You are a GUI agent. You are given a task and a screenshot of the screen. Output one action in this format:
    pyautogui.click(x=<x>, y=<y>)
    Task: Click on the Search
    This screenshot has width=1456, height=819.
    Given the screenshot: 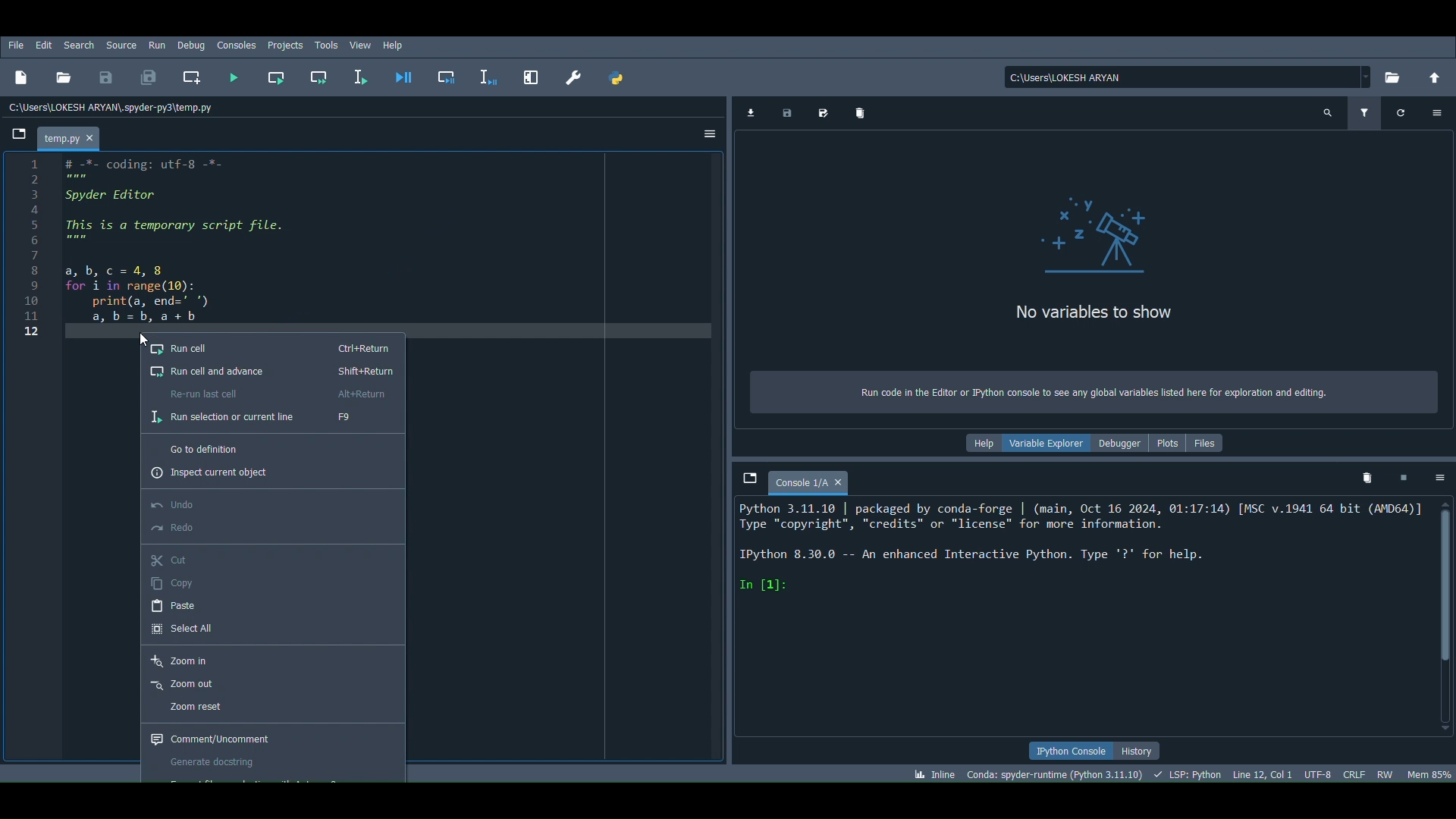 What is the action you would take?
    pyautogui.click(x=79, y=45)
    